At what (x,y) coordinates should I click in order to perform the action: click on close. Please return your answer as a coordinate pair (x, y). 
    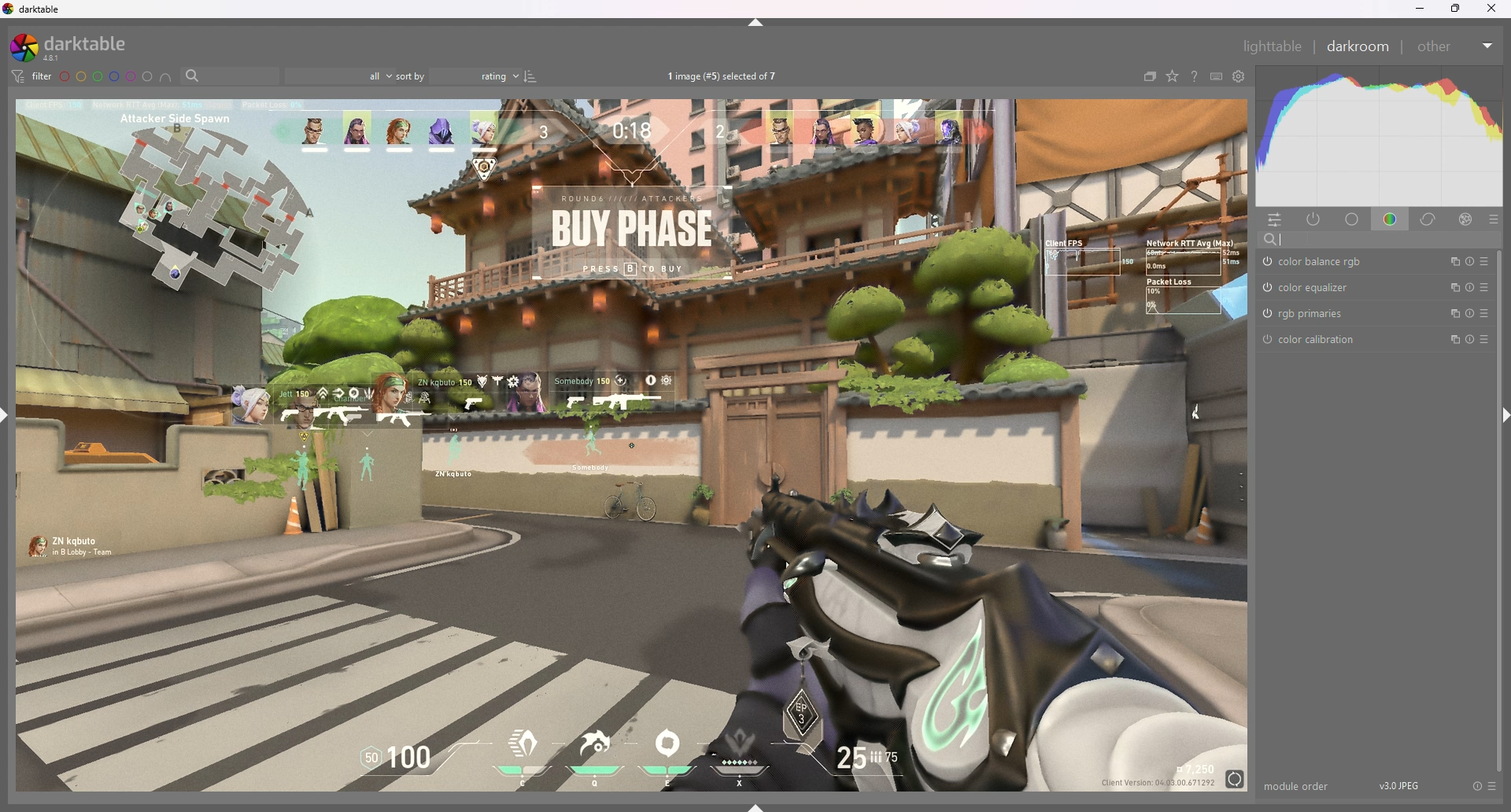
    Looking at the image, I should click on (1491, 8).